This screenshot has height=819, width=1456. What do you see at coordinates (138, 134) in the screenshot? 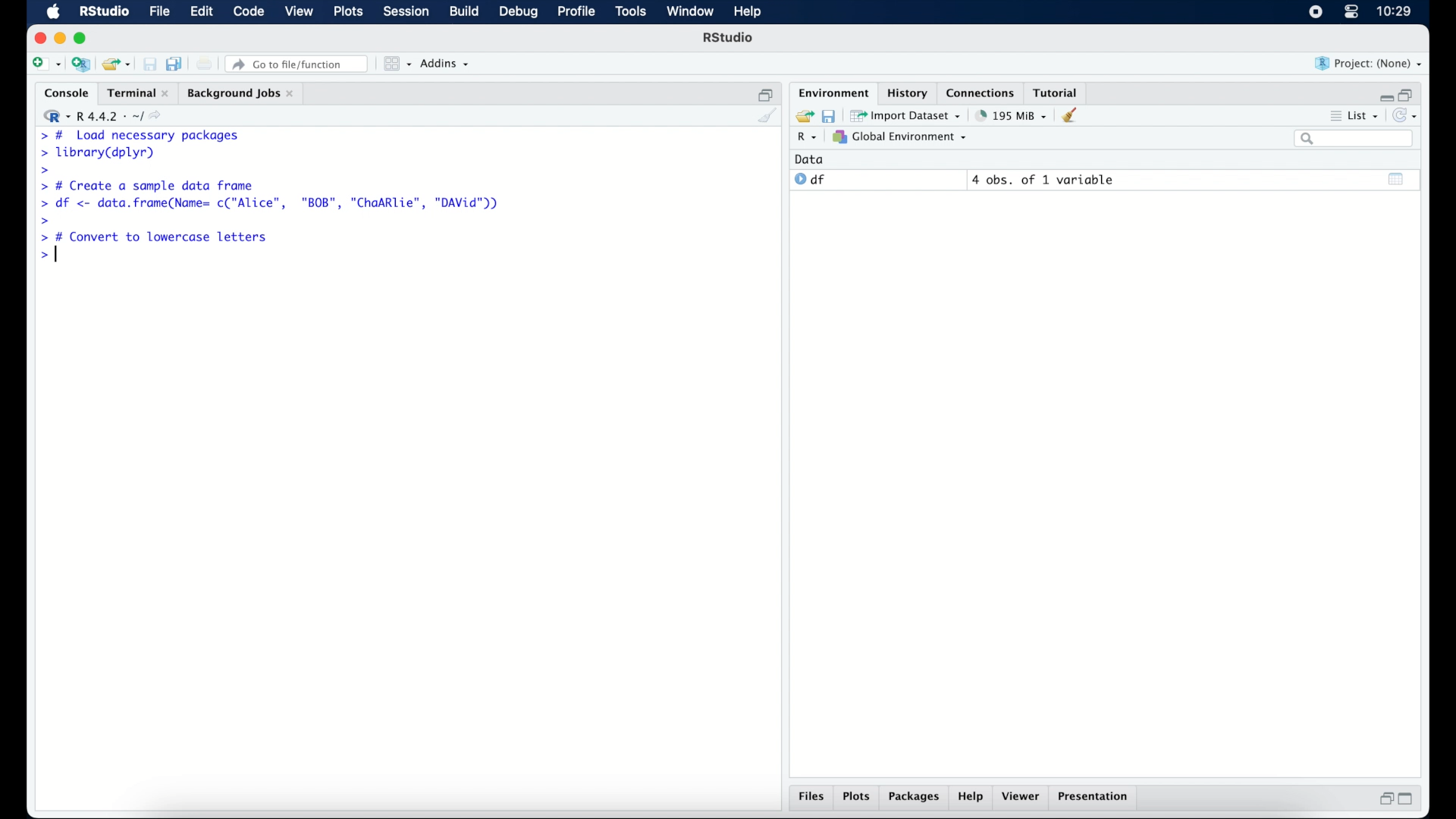
I see `> # Load necessary packages|` at bounding box center [138, 134].